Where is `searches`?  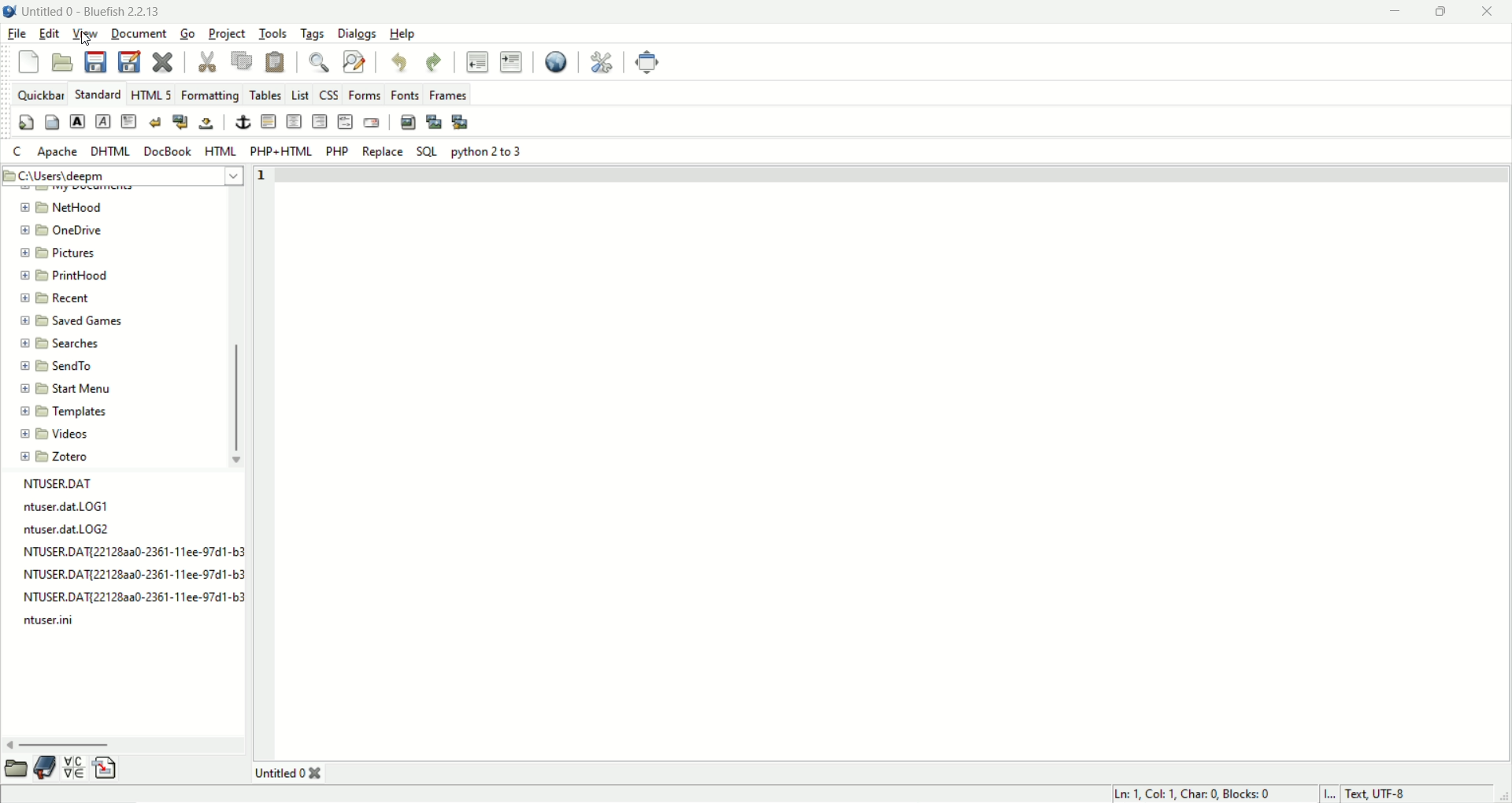
searches is located at coordinates (61, 344).